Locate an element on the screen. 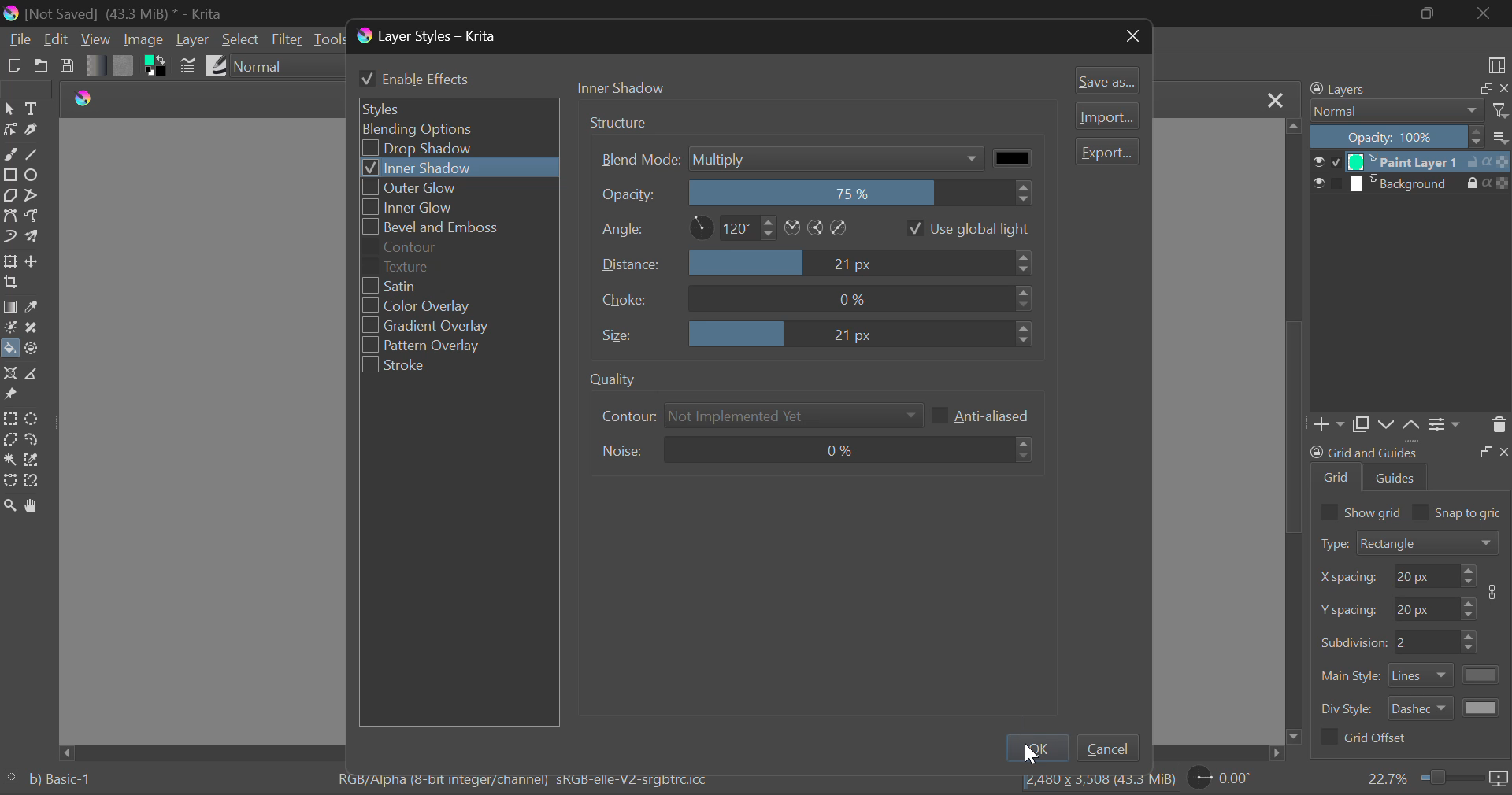 This screenshot has width=1512, height=795. loading is located at coordinates (9, 777).